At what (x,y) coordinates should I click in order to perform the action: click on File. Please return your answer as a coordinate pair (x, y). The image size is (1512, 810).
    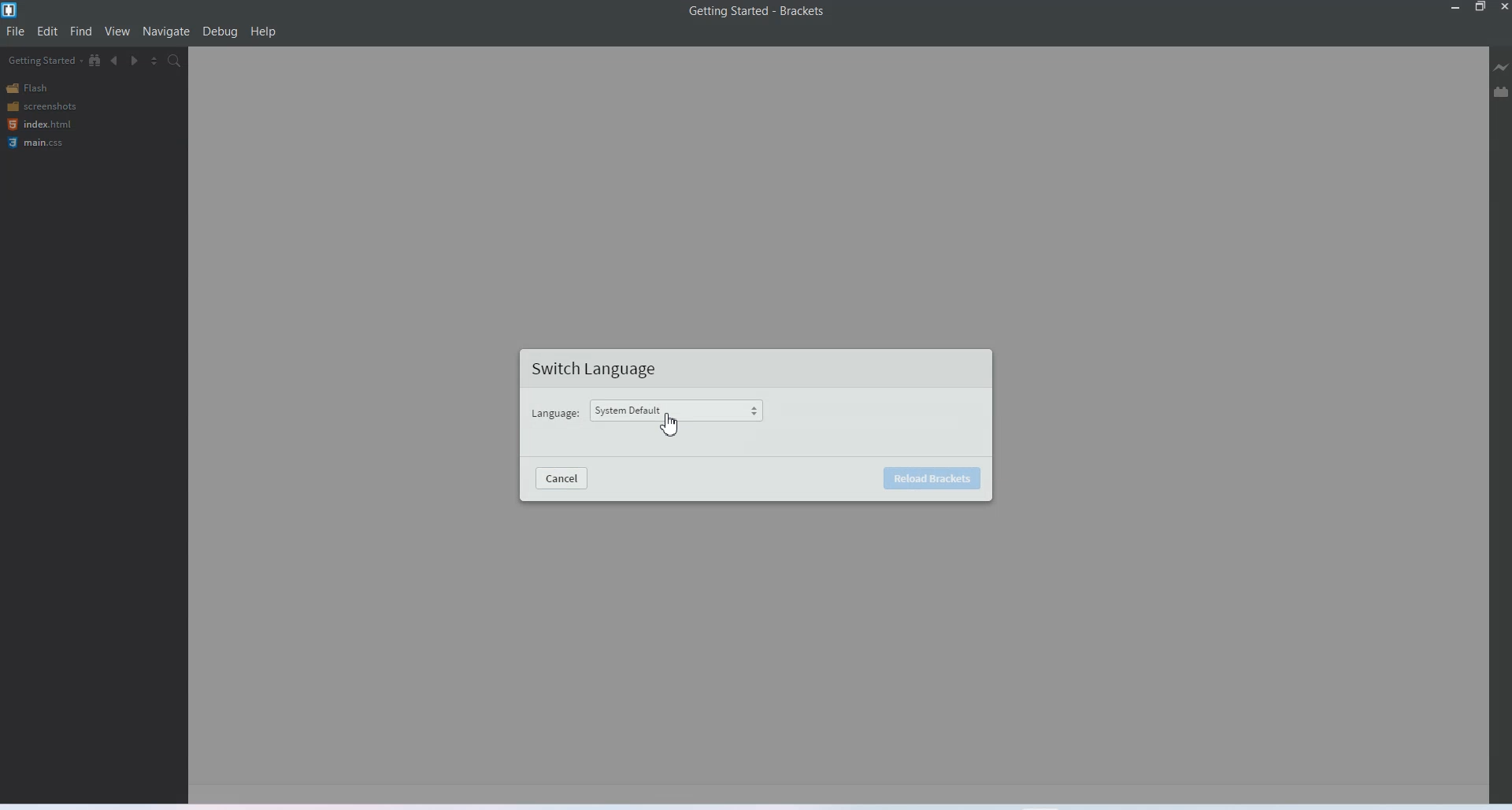
    Looking at the image, I should click on (16, 32).